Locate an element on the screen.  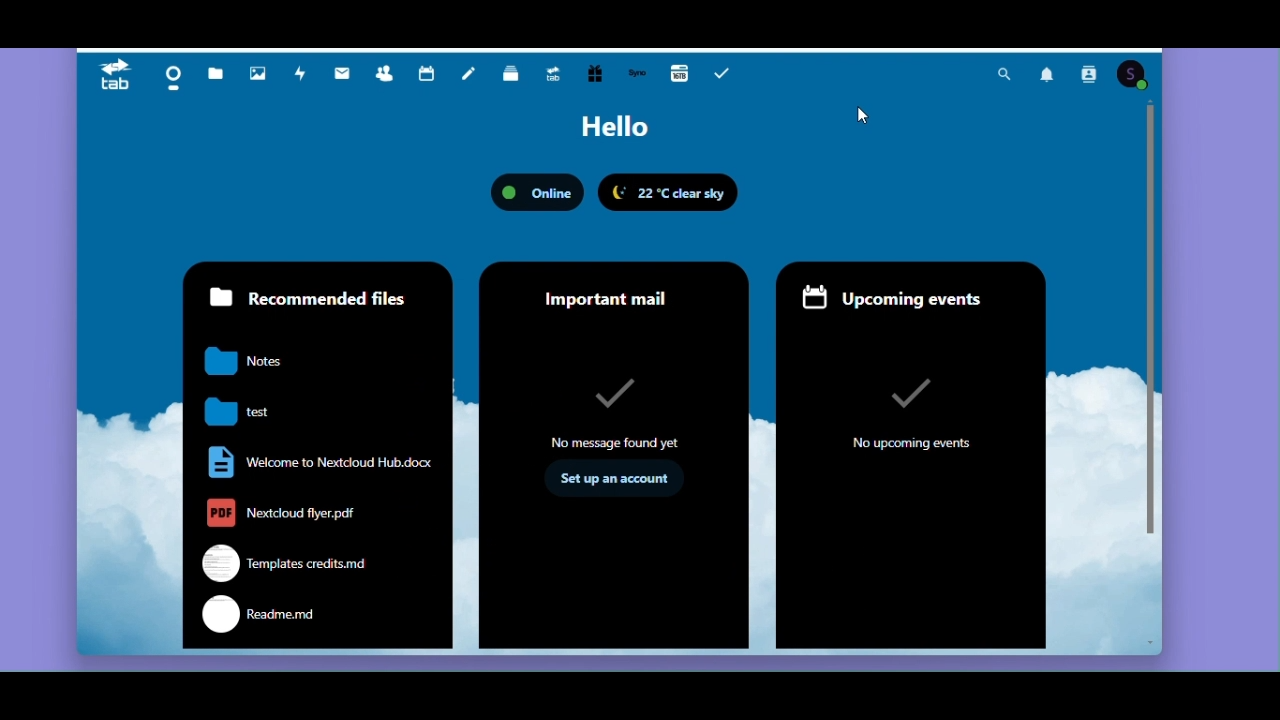
Notification is located at coordinates (1045, 76).